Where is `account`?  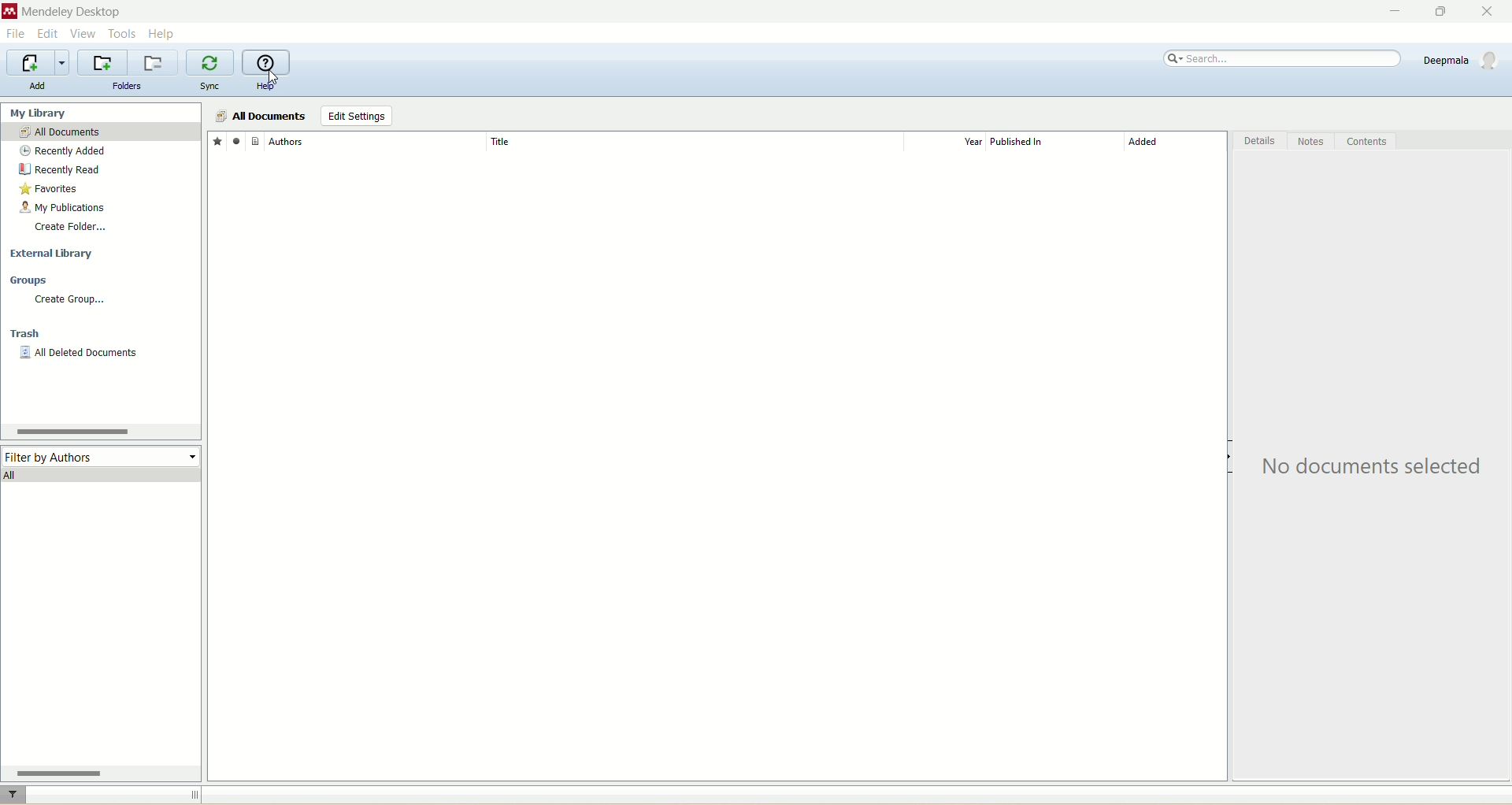 account is located at coordinates (1464, 60).